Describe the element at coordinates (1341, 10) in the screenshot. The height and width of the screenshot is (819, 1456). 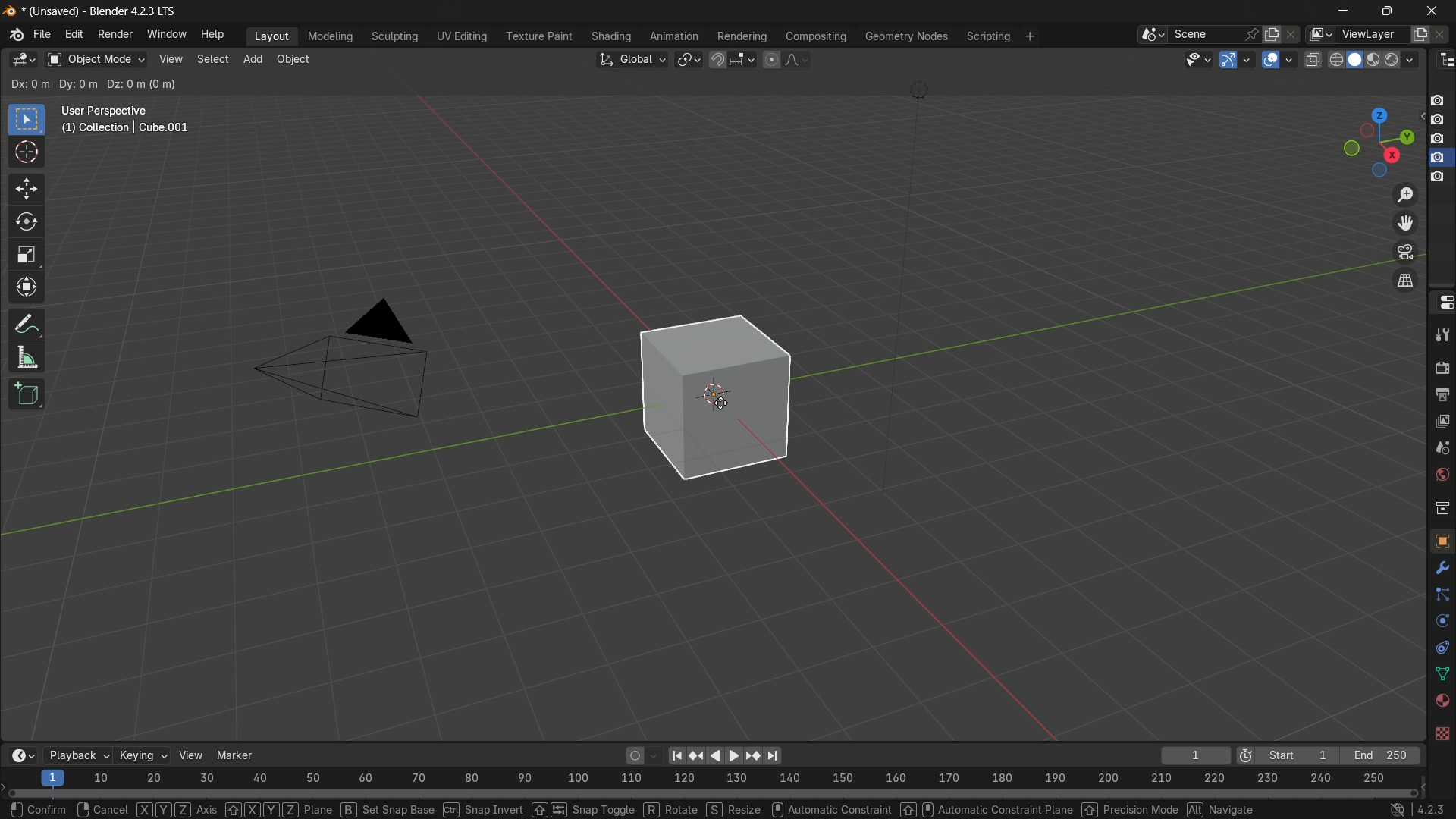
I see `minimize` at that location.